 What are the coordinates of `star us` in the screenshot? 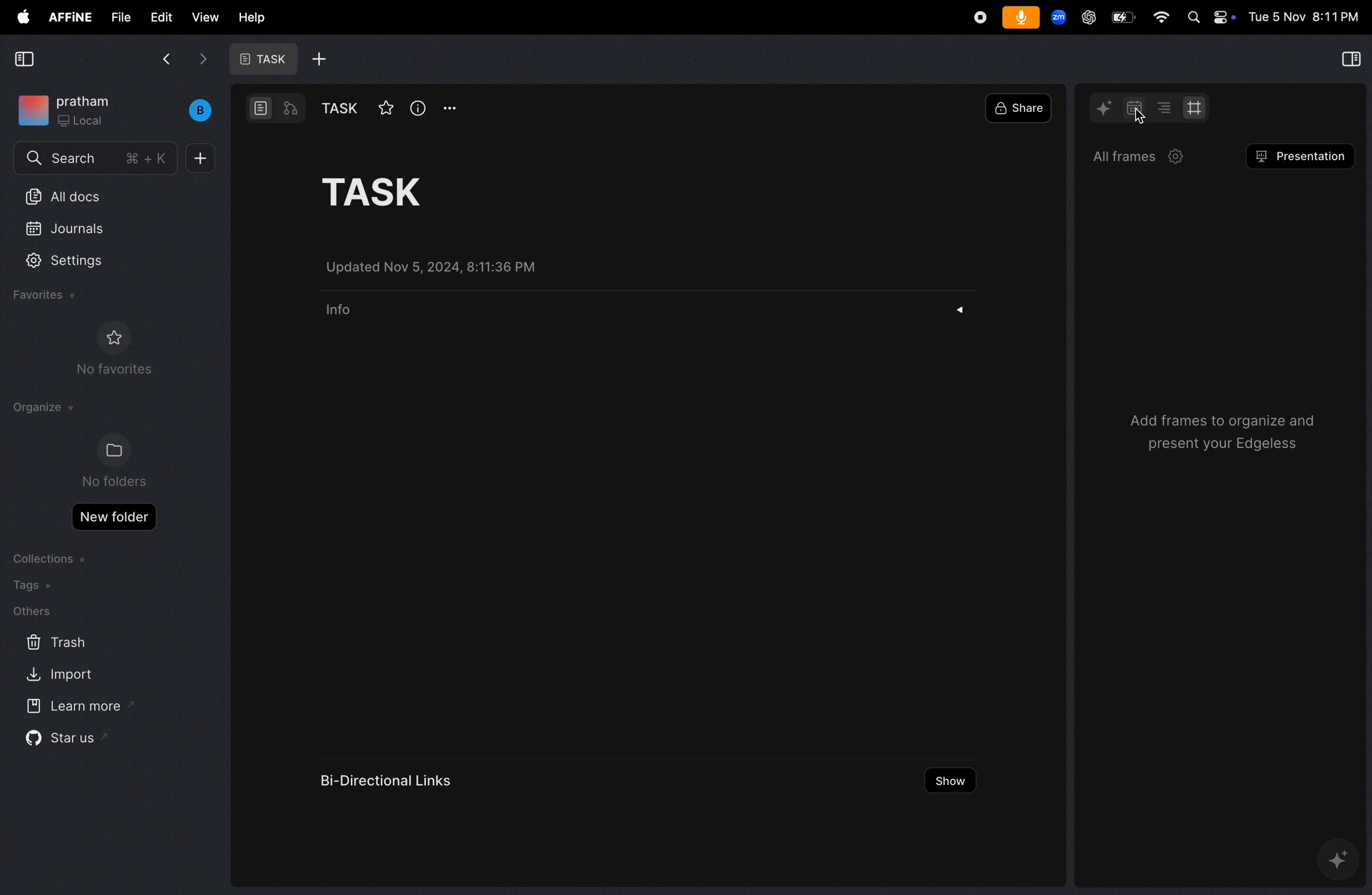 It's located at (62, 741).